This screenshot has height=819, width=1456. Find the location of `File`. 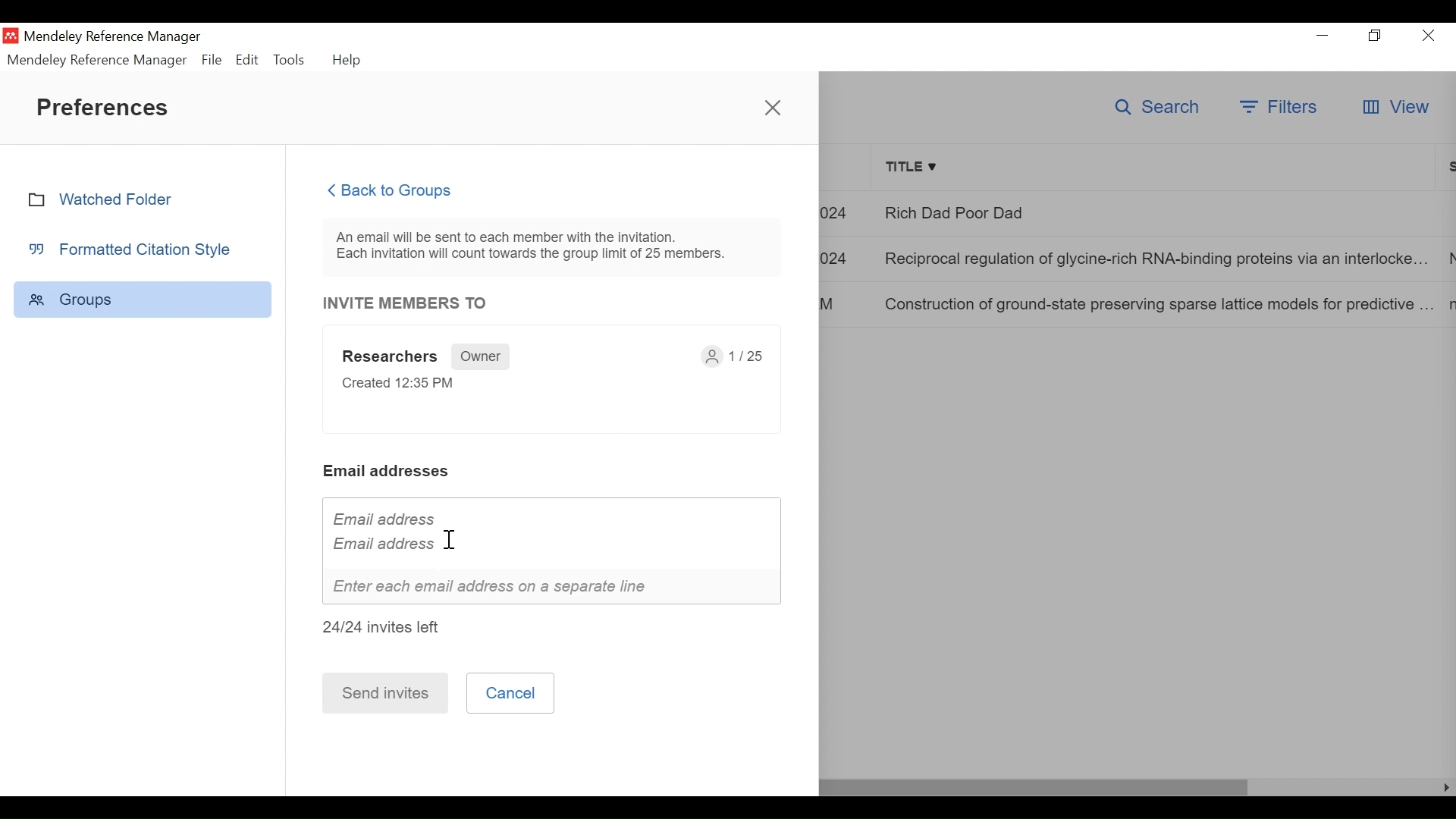

File is located at coordinates (212, 60).